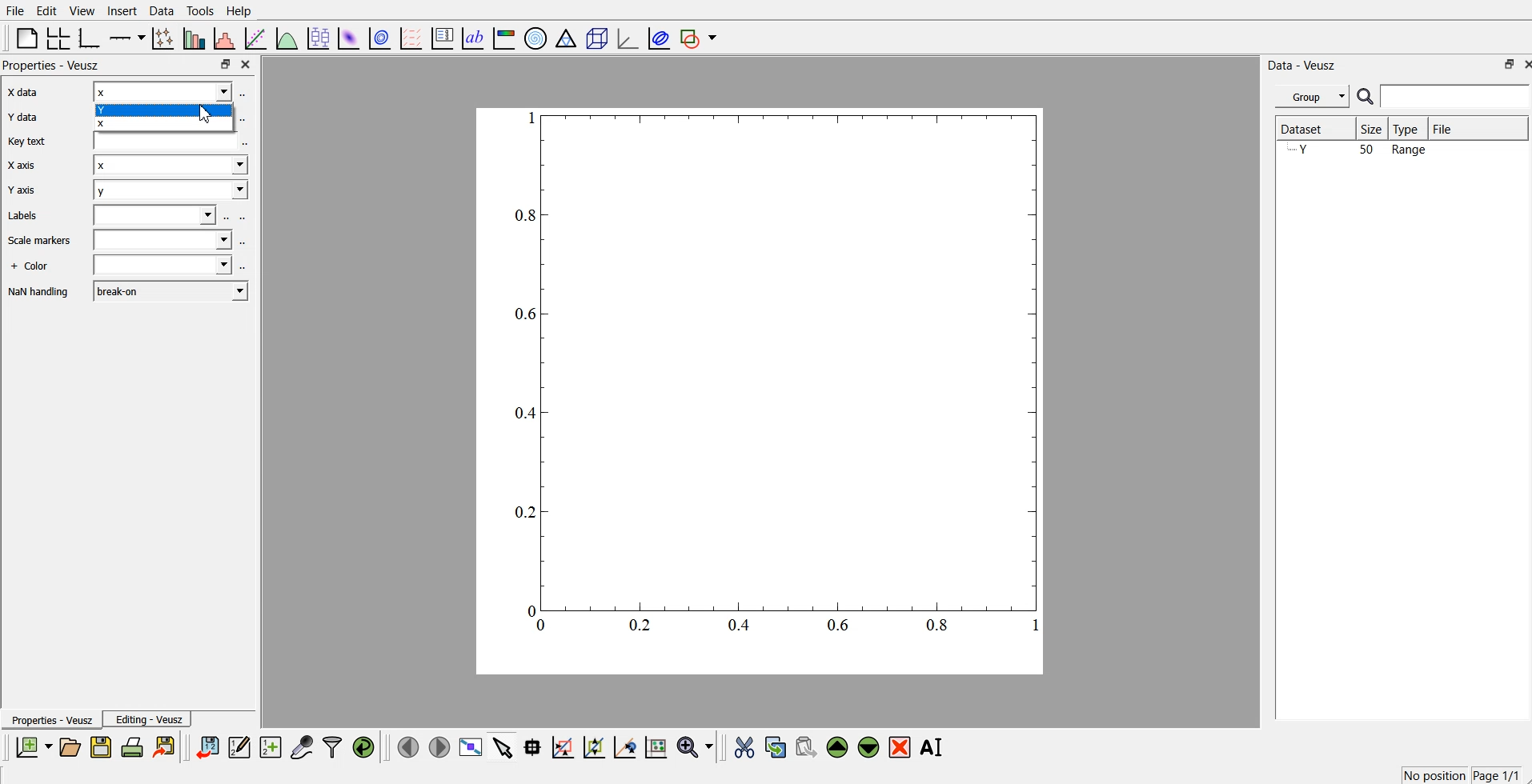  Describe the element at coordinates (1432, 774) in the screenshot. I see `no position` at that location.